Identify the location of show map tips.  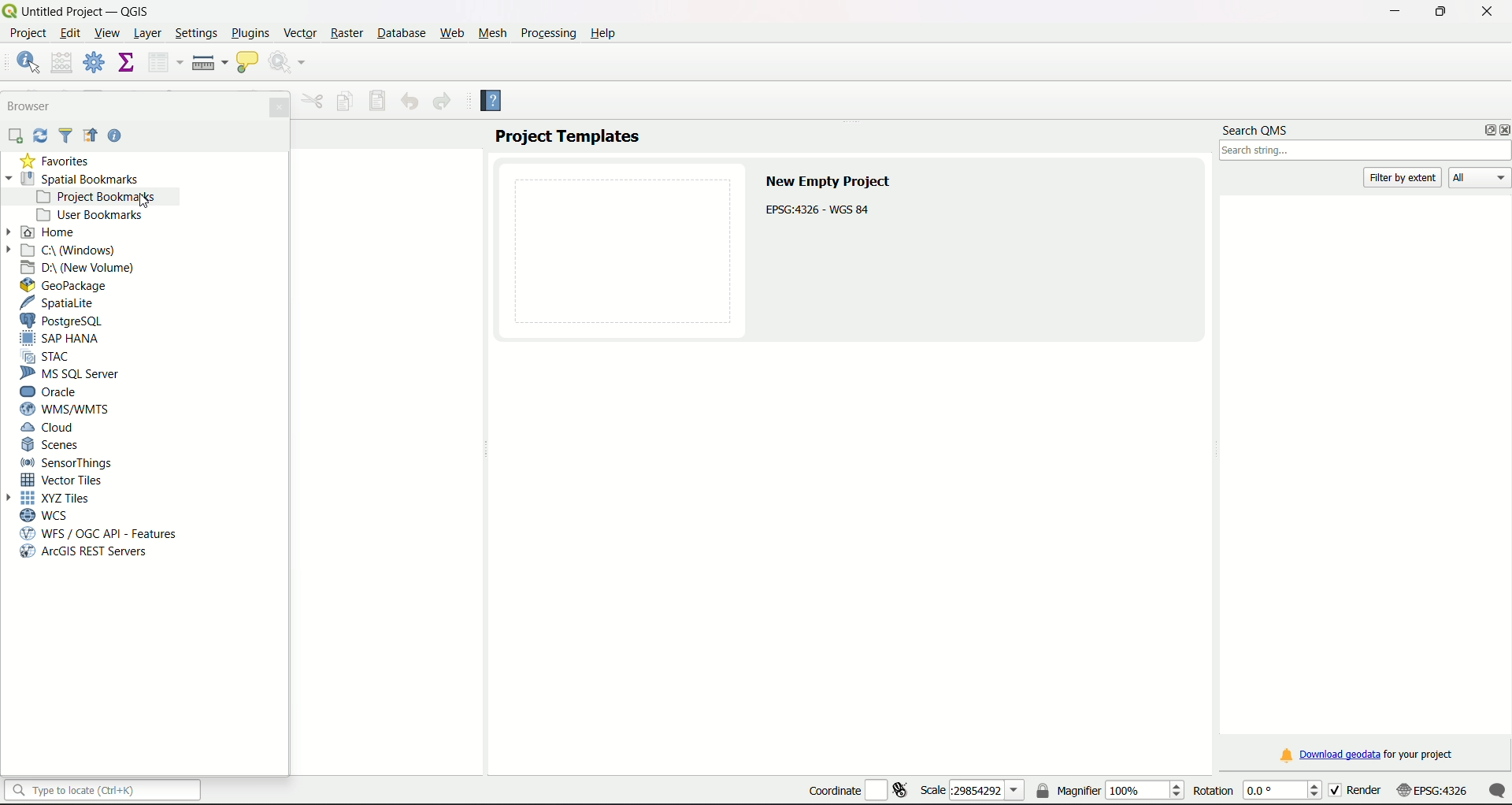
(247, 63).